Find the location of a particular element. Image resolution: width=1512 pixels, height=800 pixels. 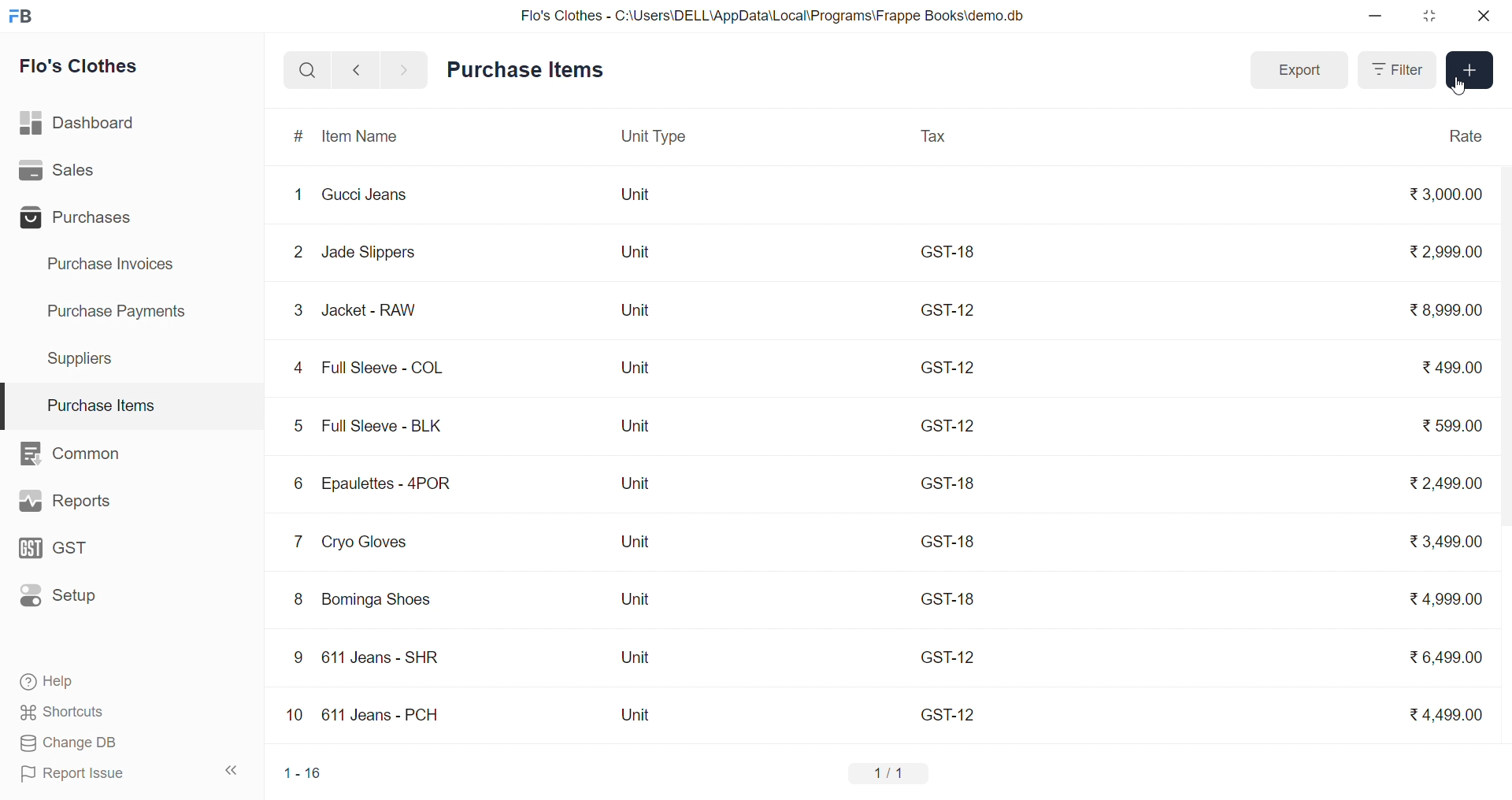

₹6,499.00 is located at coordinates (1444, 659).